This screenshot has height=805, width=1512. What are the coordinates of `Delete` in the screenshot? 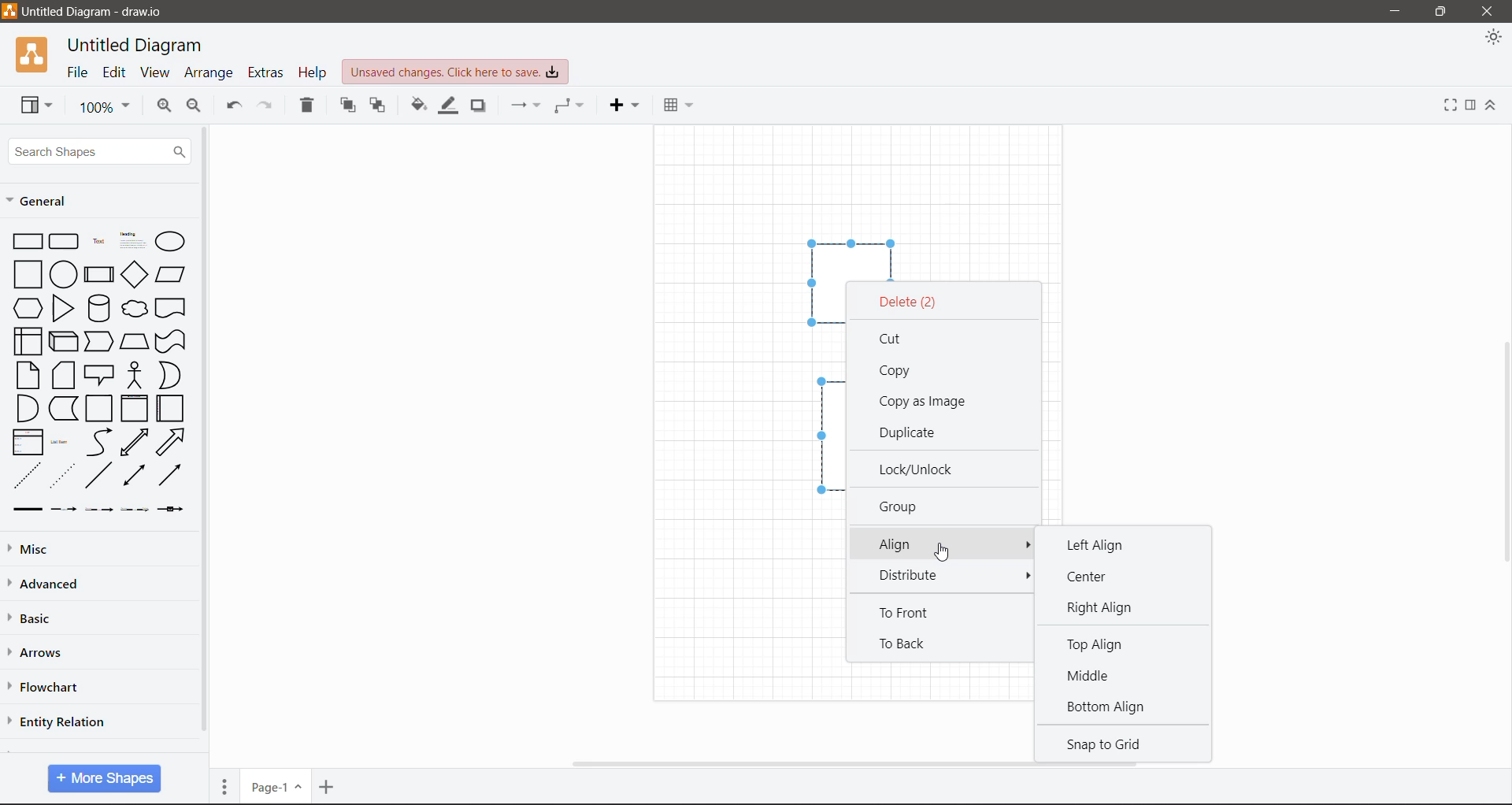 It's located at (306, 107).